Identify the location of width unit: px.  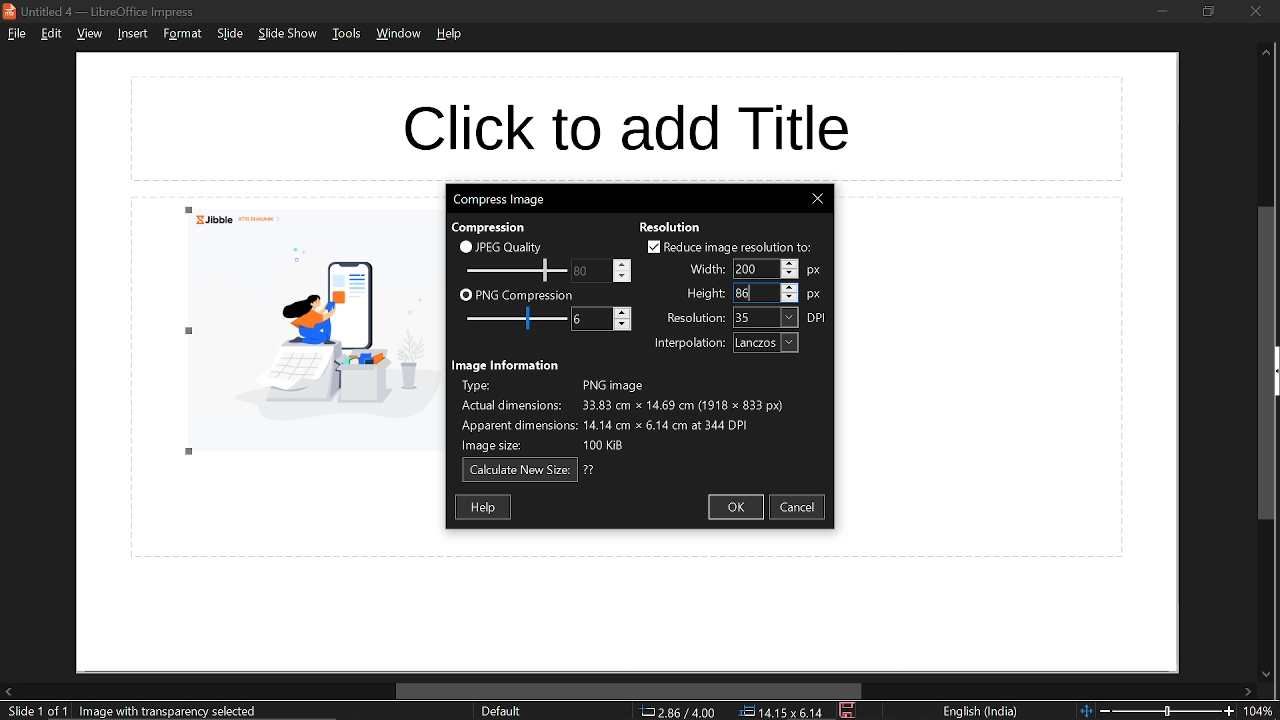
(813, 272).